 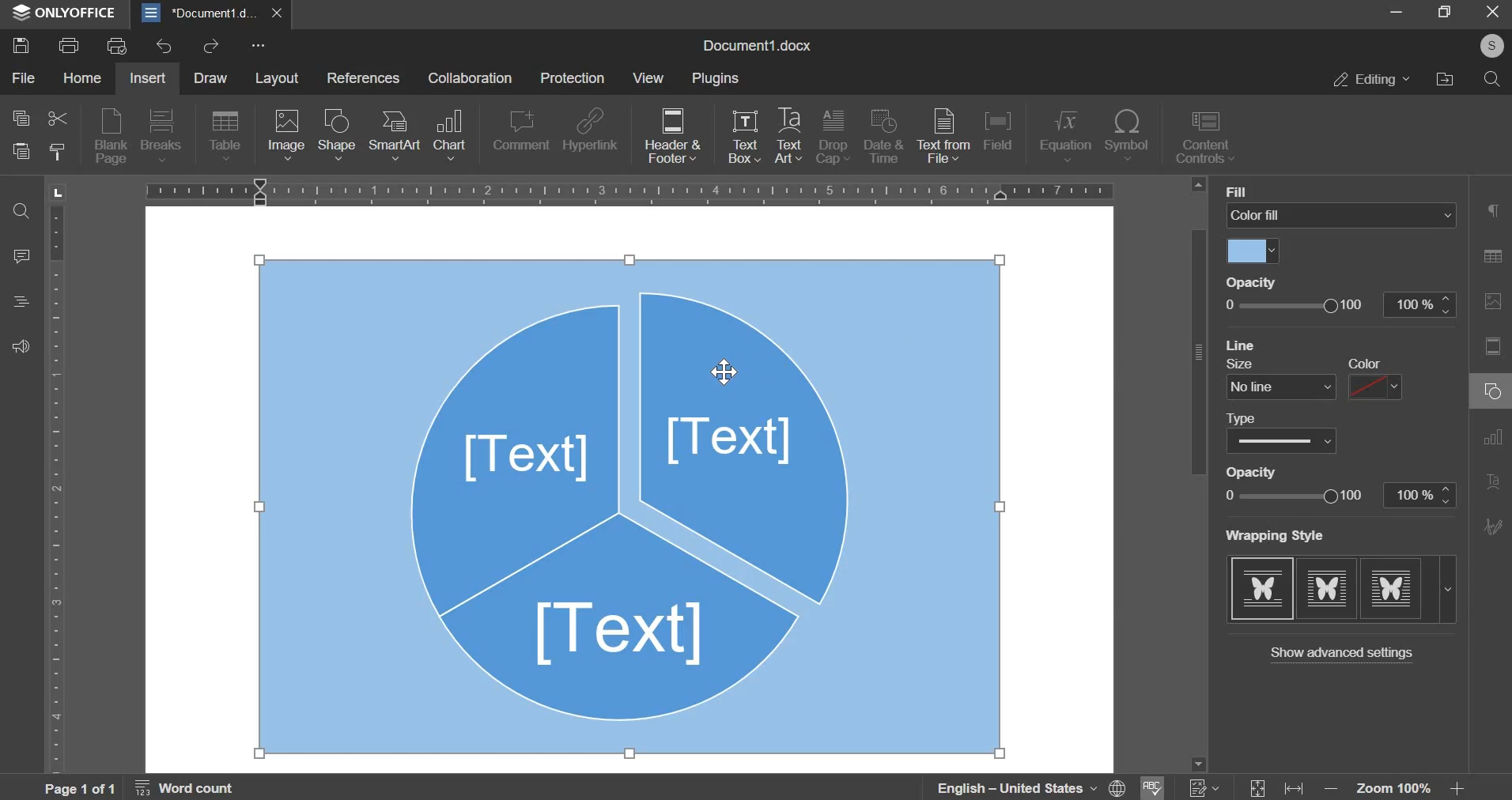 What do you see at coordinates (338, 134) in the screenshot?
I see `shape` at bounding box center [338, 134].